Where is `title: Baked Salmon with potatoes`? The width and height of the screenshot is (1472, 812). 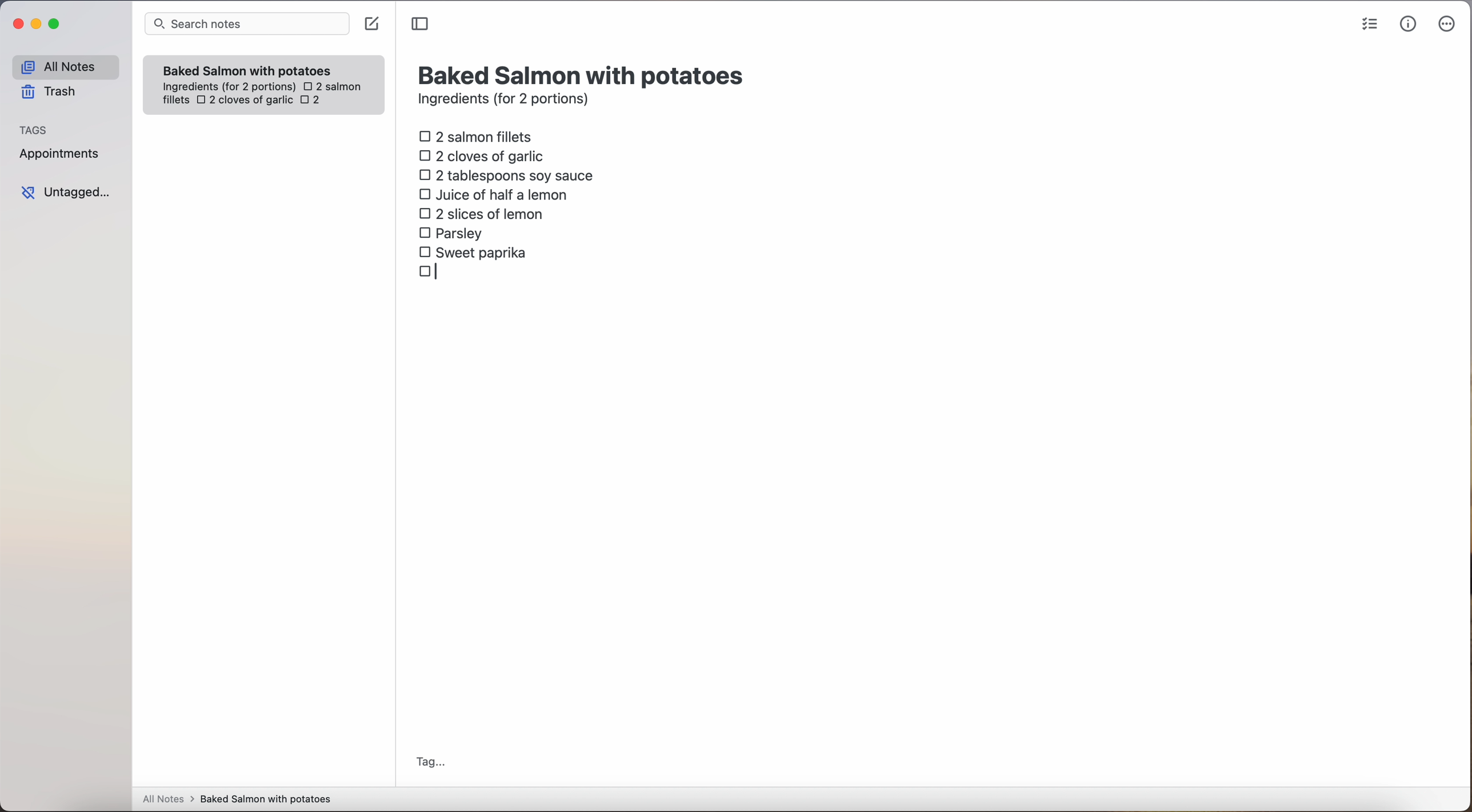
title: Baked Salmon with potatoes is located at coordinates (583, 74).